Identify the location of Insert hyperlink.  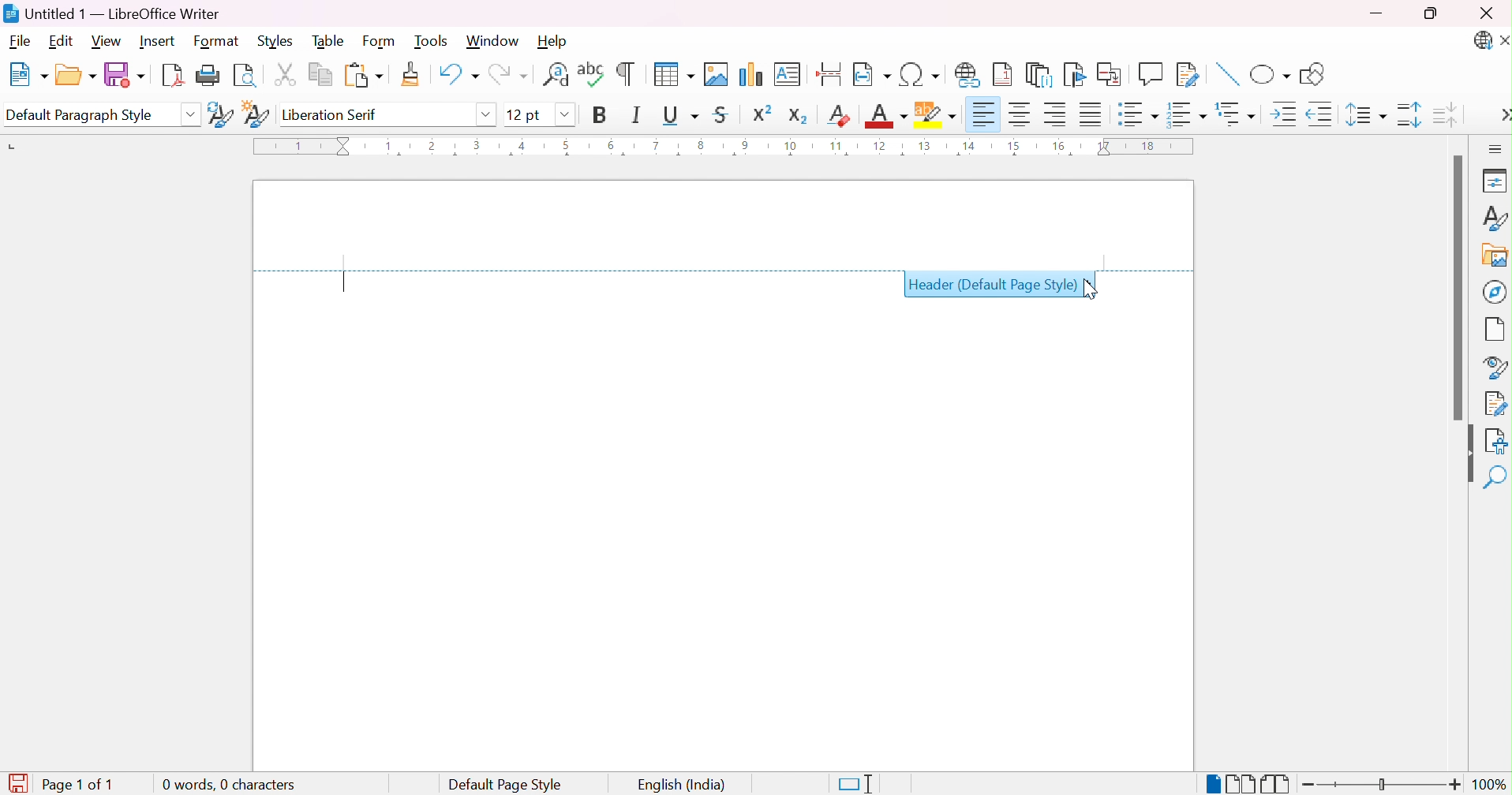
(967, 74).